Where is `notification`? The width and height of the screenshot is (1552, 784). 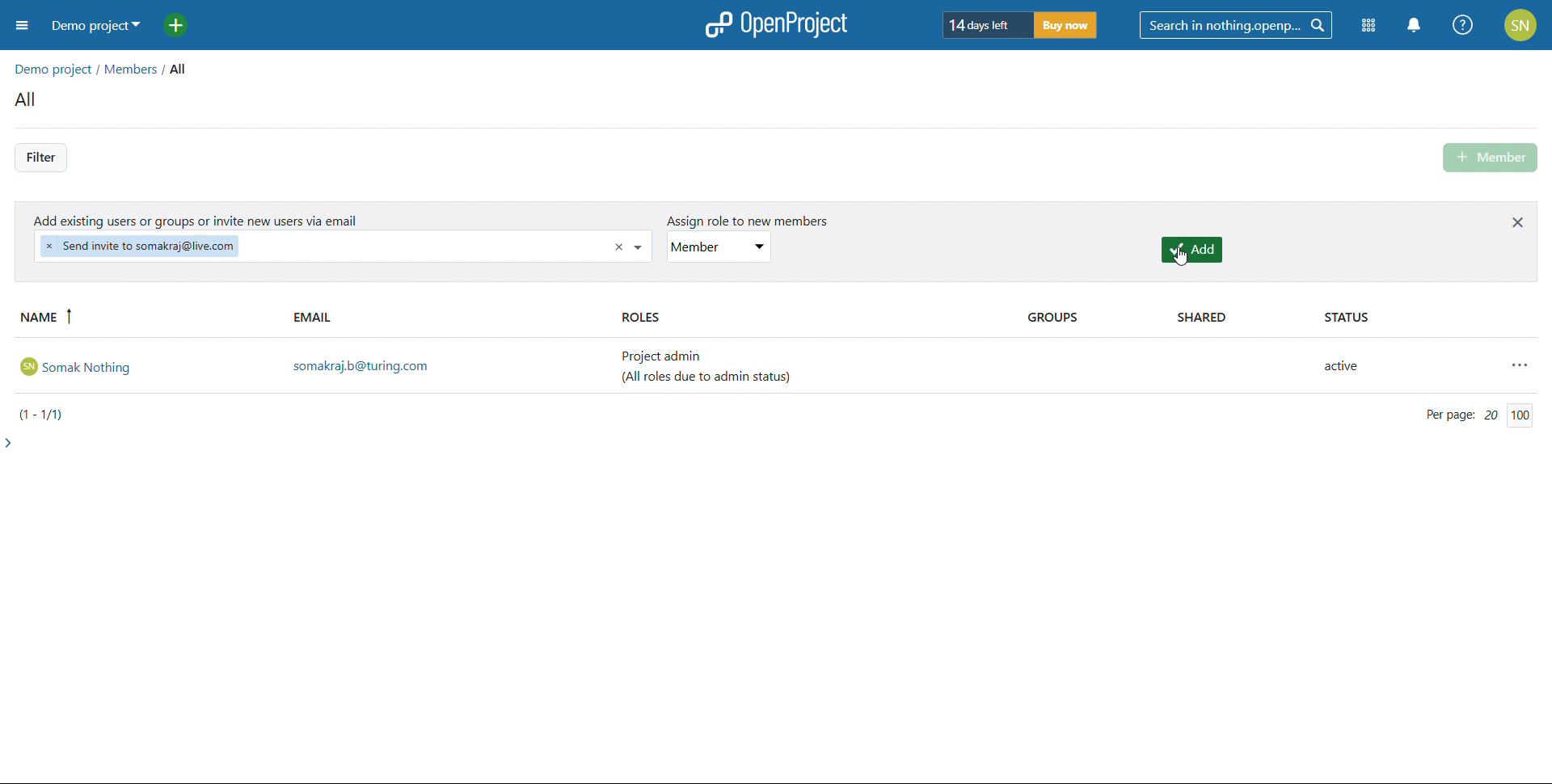 notification is located at coordinates (1416, 25).